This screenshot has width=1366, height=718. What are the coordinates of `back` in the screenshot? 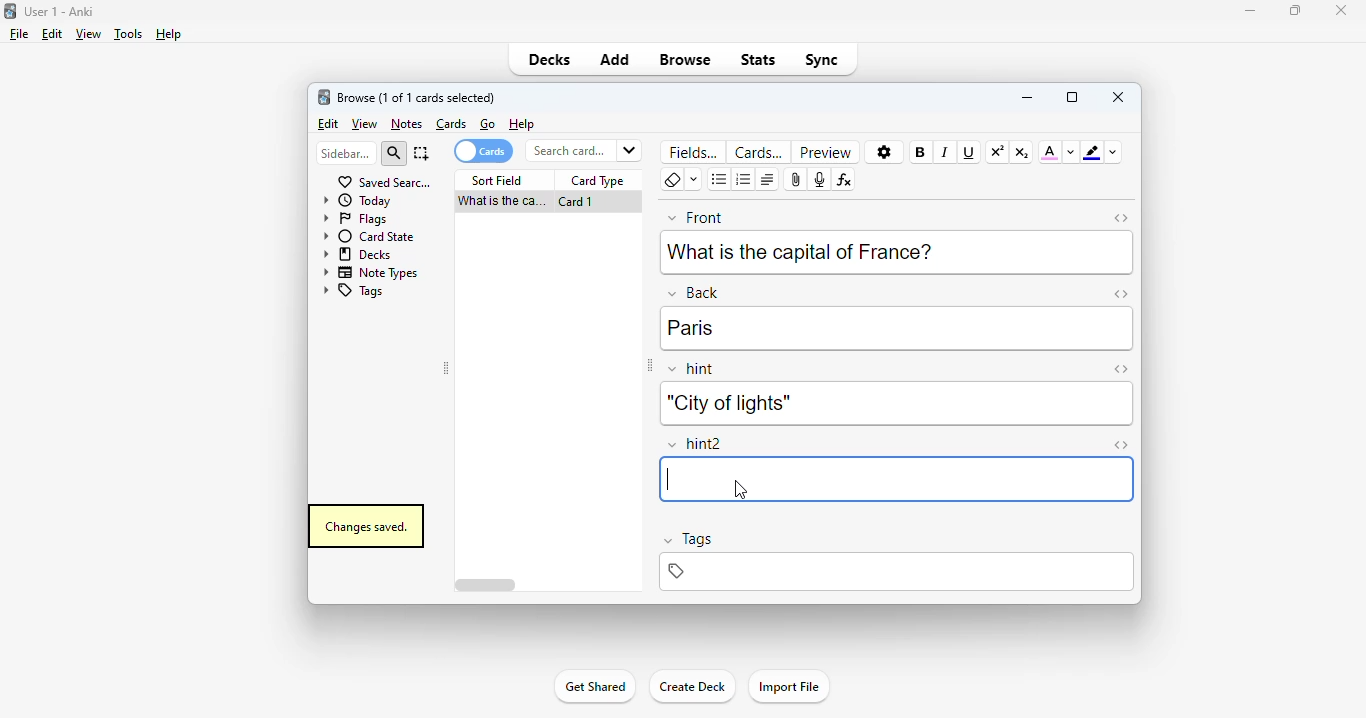 It's located at (693, 292).